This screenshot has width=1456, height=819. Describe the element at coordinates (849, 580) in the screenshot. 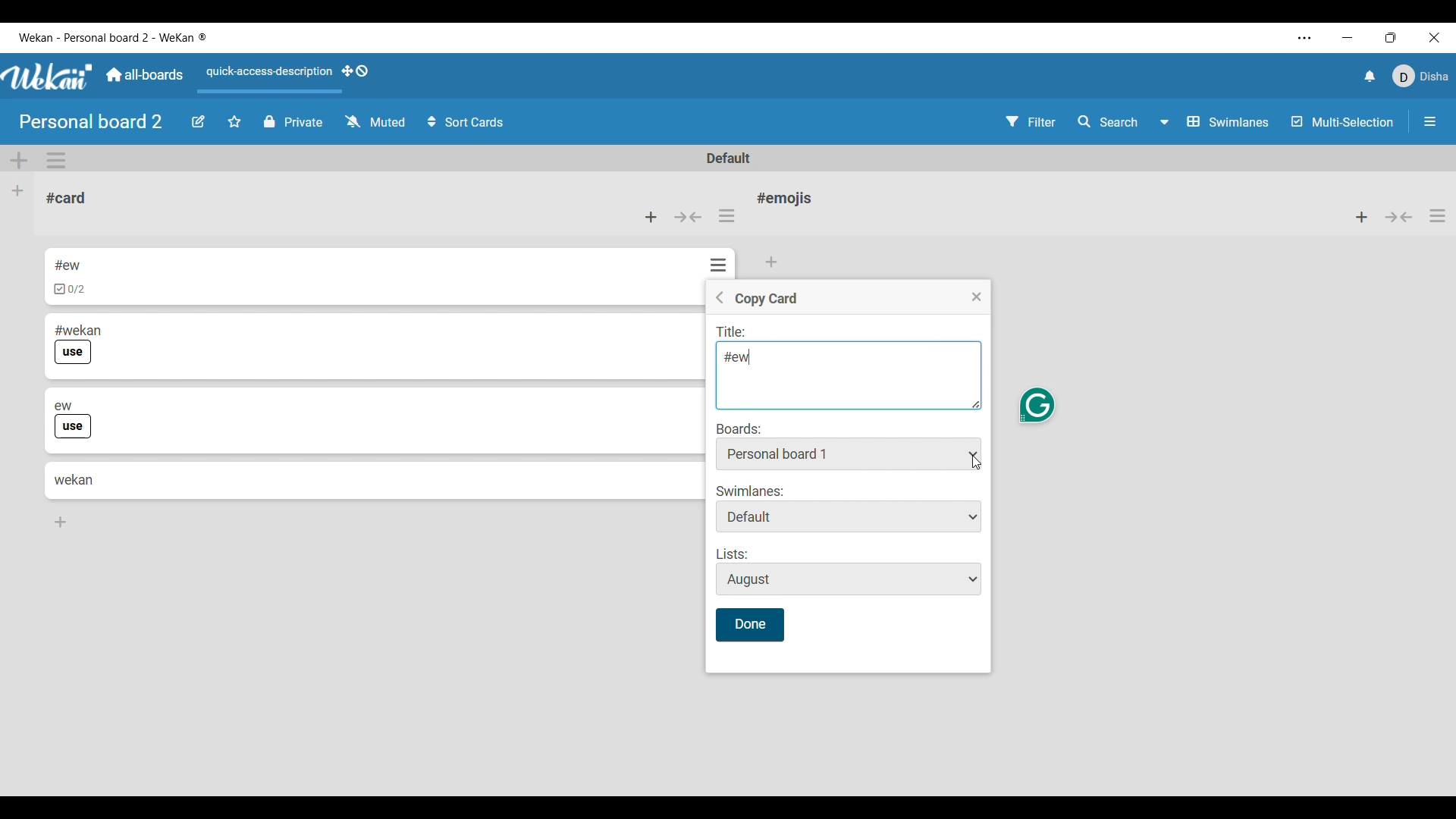

I see `Lists options` at that location.